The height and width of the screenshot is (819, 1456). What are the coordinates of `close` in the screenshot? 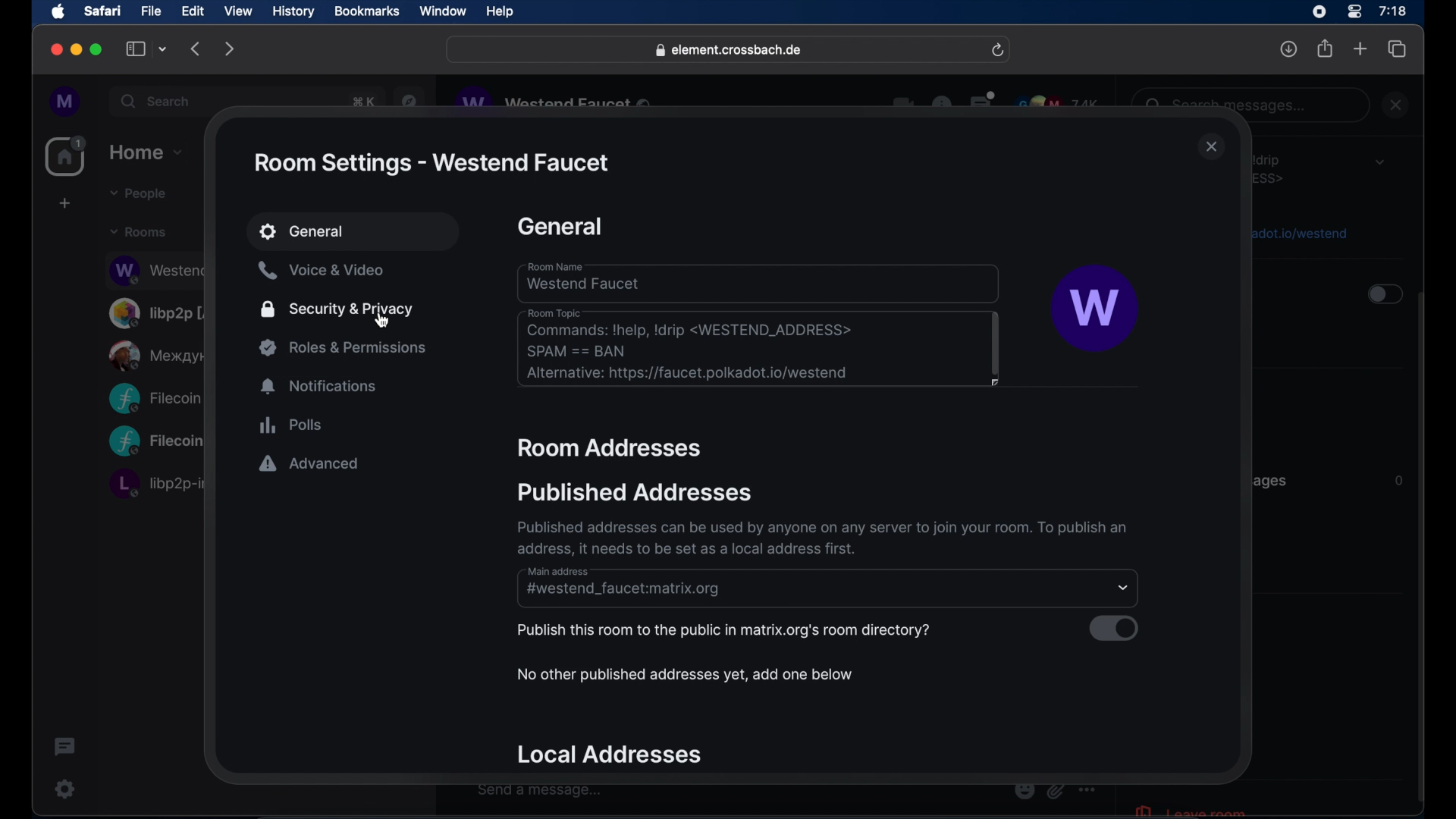 It's located at (55, 50).